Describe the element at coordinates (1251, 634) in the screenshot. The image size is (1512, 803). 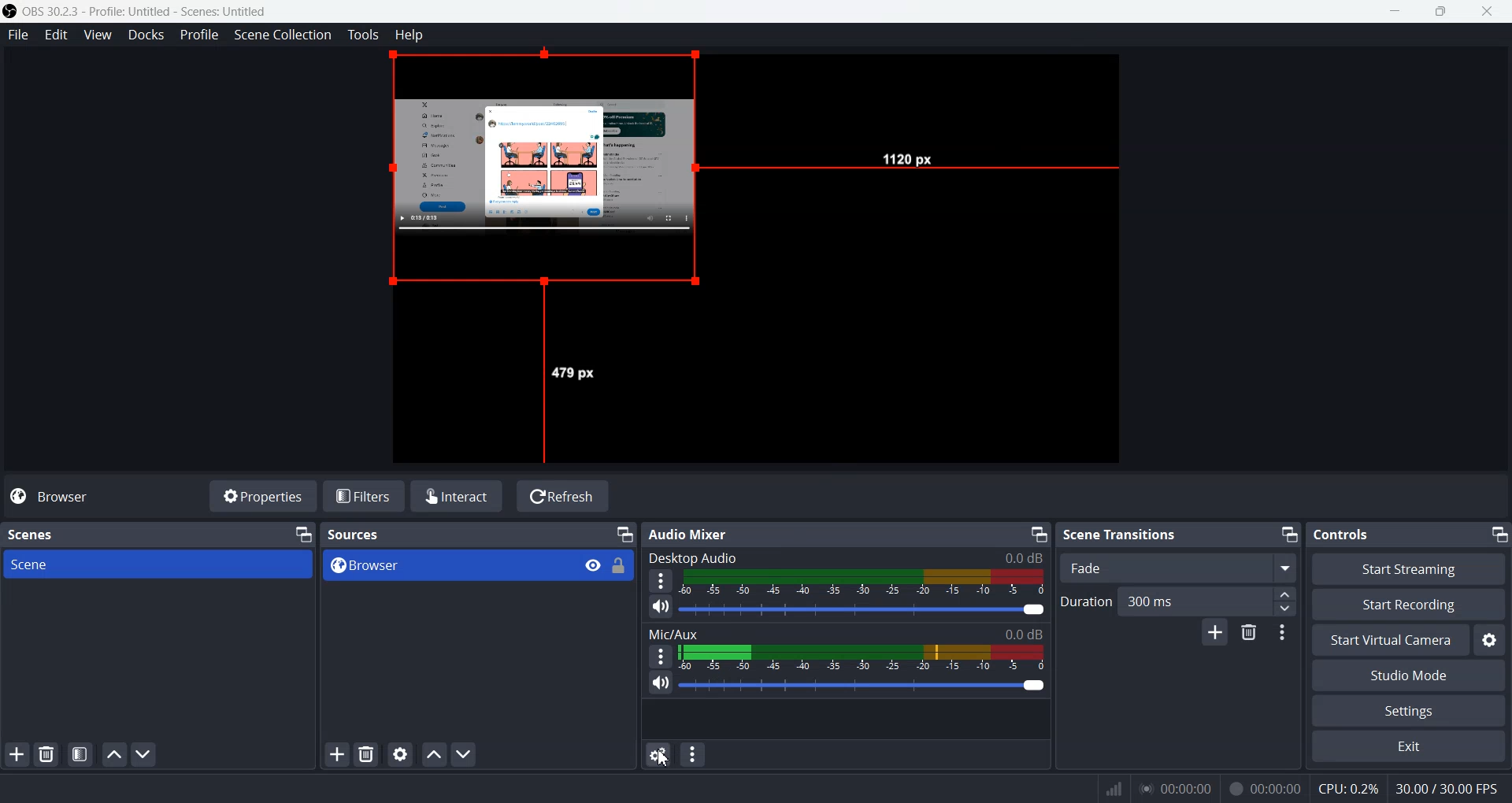
I see `Remove configurable transistion` at that location.